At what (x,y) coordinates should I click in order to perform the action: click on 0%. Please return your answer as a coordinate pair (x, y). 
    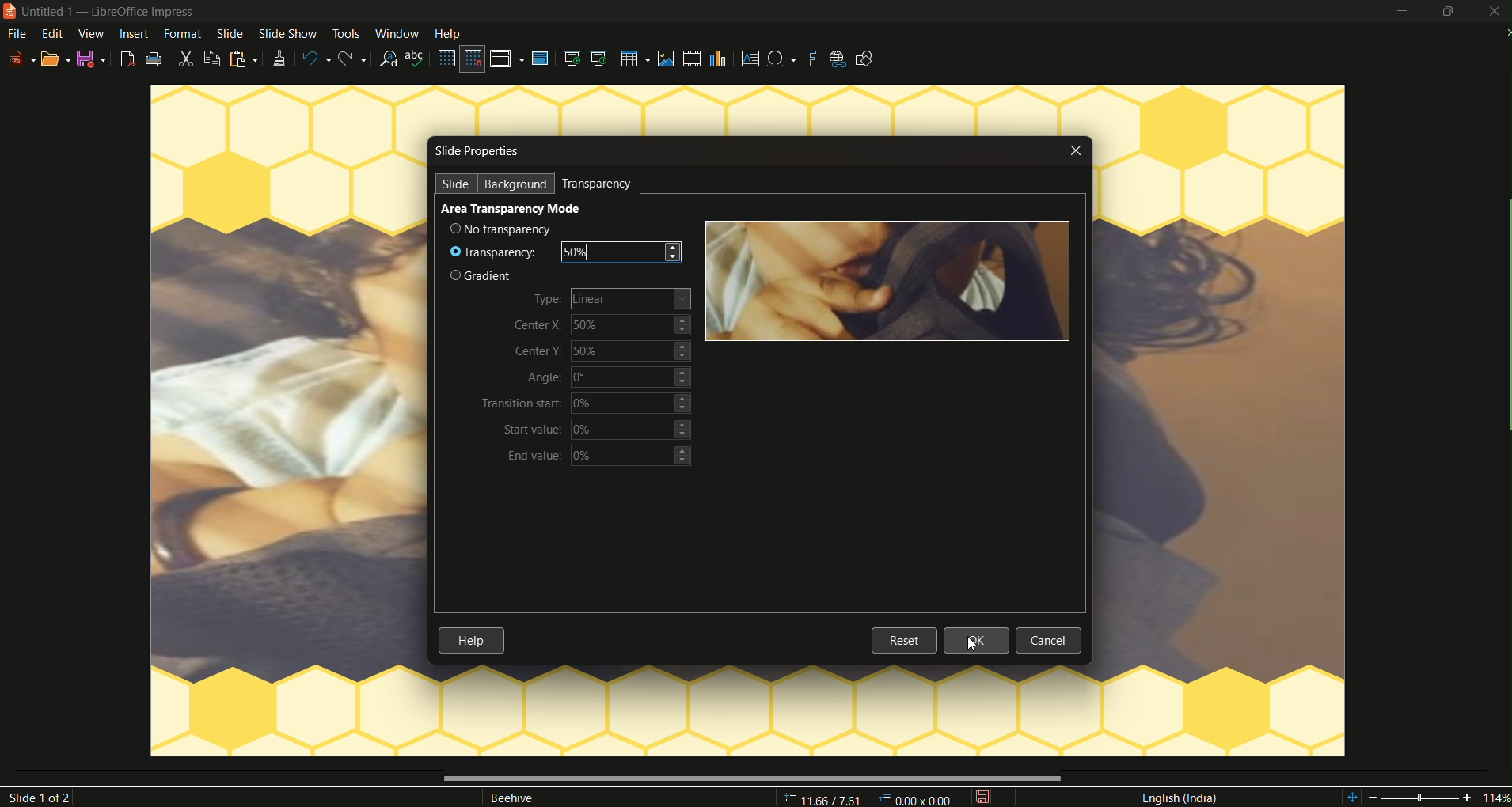
    Looking at the image, I should click on (635, 457).